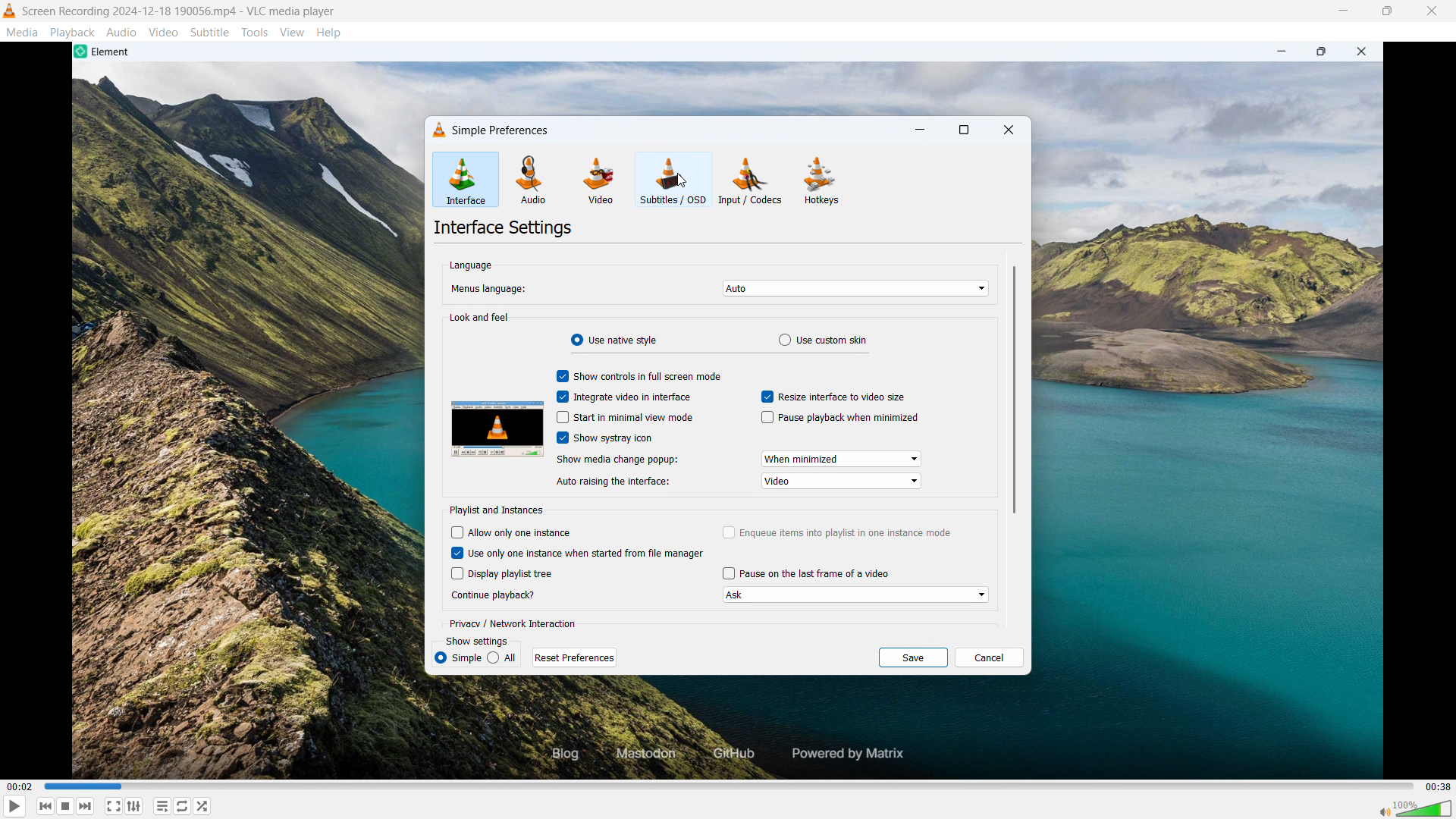 The image size is (1456, 819). Describe the element at coordinates (598, 182) in the screenshot. I see `video` at that location.